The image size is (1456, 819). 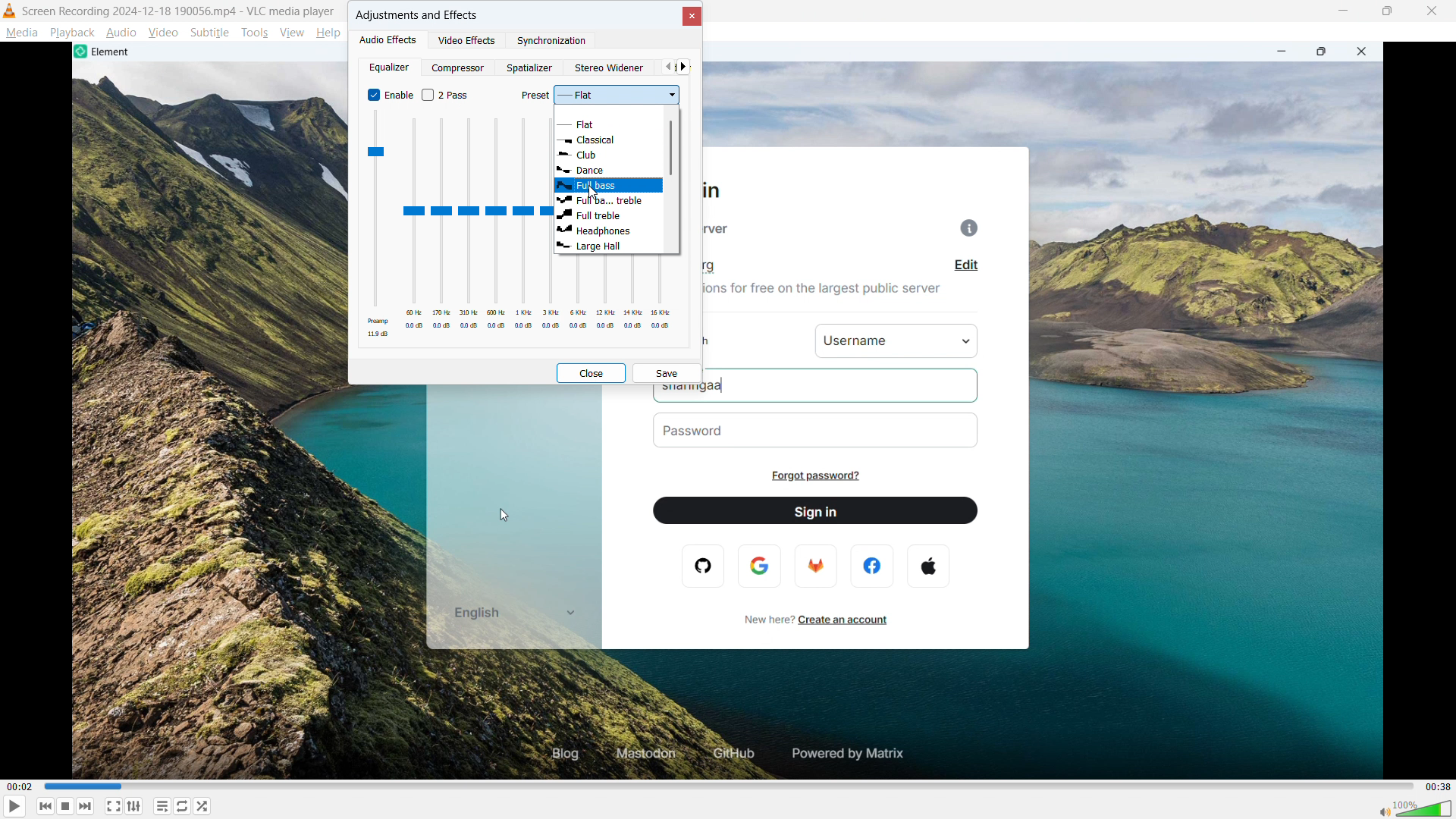 I want to click on Toggle between loop all, one loop and no loop, so click(x=184, y=806).